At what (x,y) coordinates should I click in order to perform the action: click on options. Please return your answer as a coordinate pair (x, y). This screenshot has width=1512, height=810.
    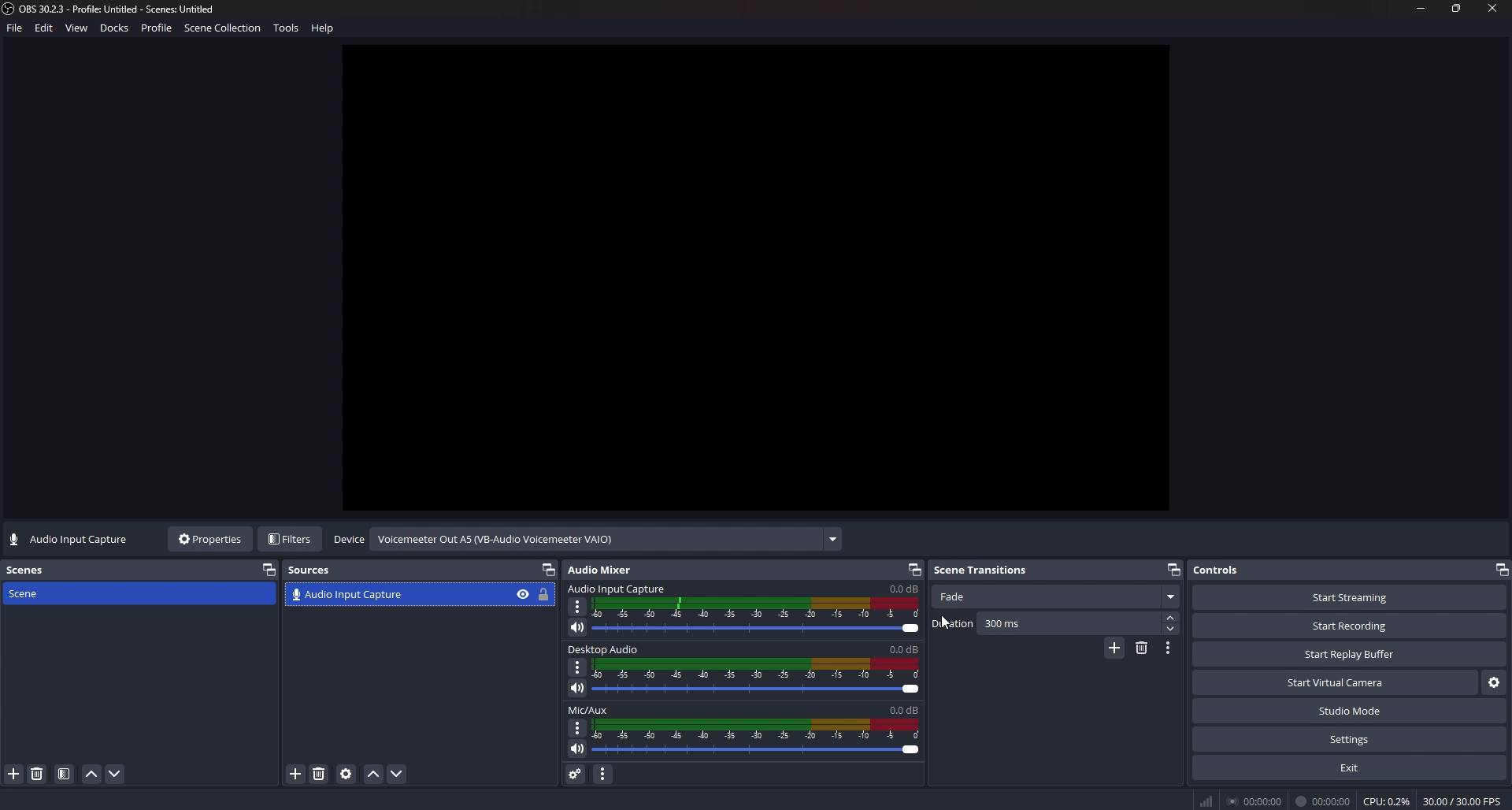
    Looking at the image, I should click on (579, 607).